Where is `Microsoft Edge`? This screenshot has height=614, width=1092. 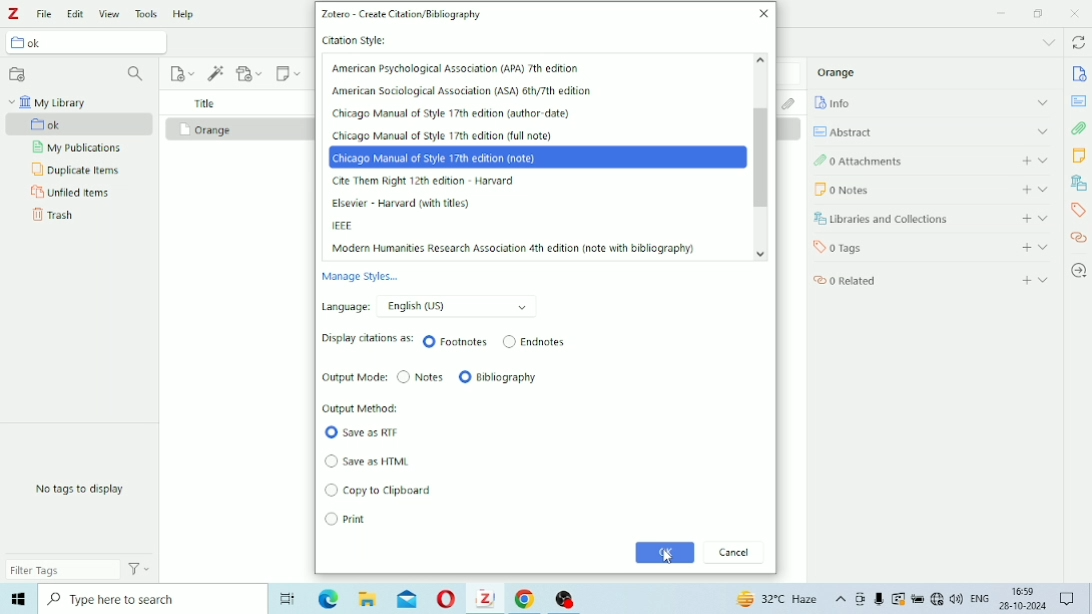 Microsoft Edge is located at coordinates (17, 599).